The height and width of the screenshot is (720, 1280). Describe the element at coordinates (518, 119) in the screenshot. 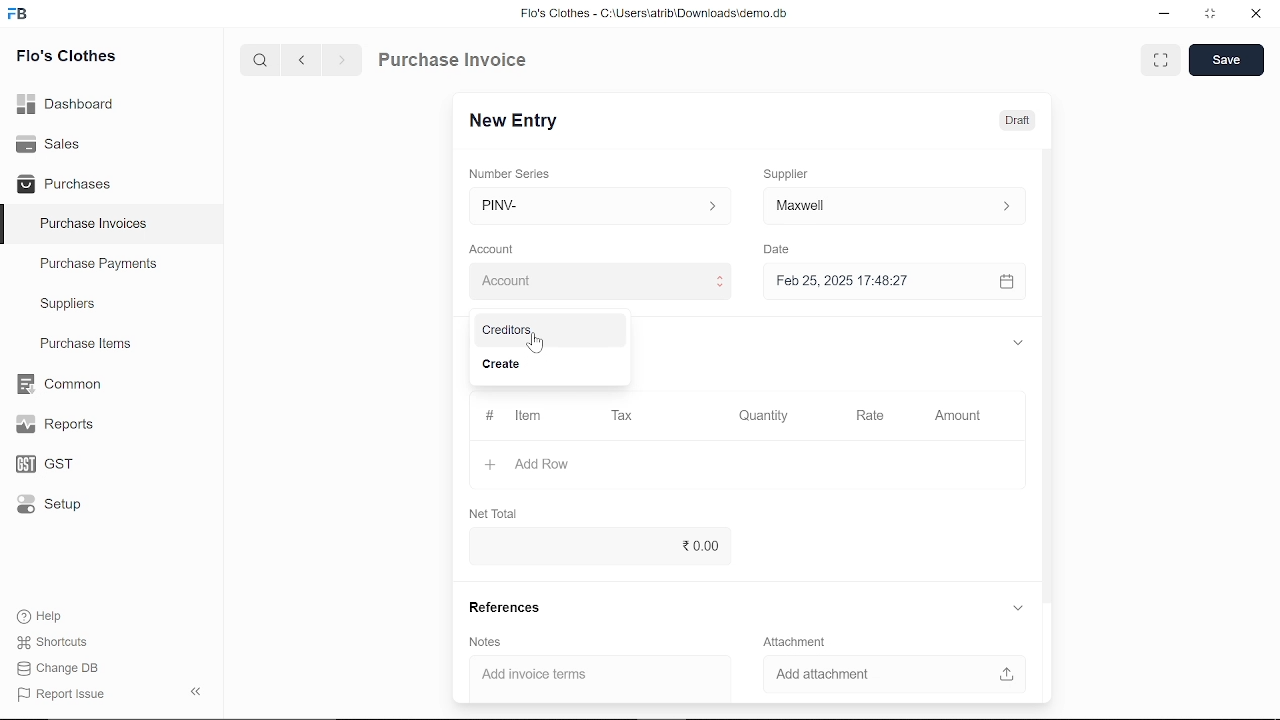

I see `New Entry` at that location.